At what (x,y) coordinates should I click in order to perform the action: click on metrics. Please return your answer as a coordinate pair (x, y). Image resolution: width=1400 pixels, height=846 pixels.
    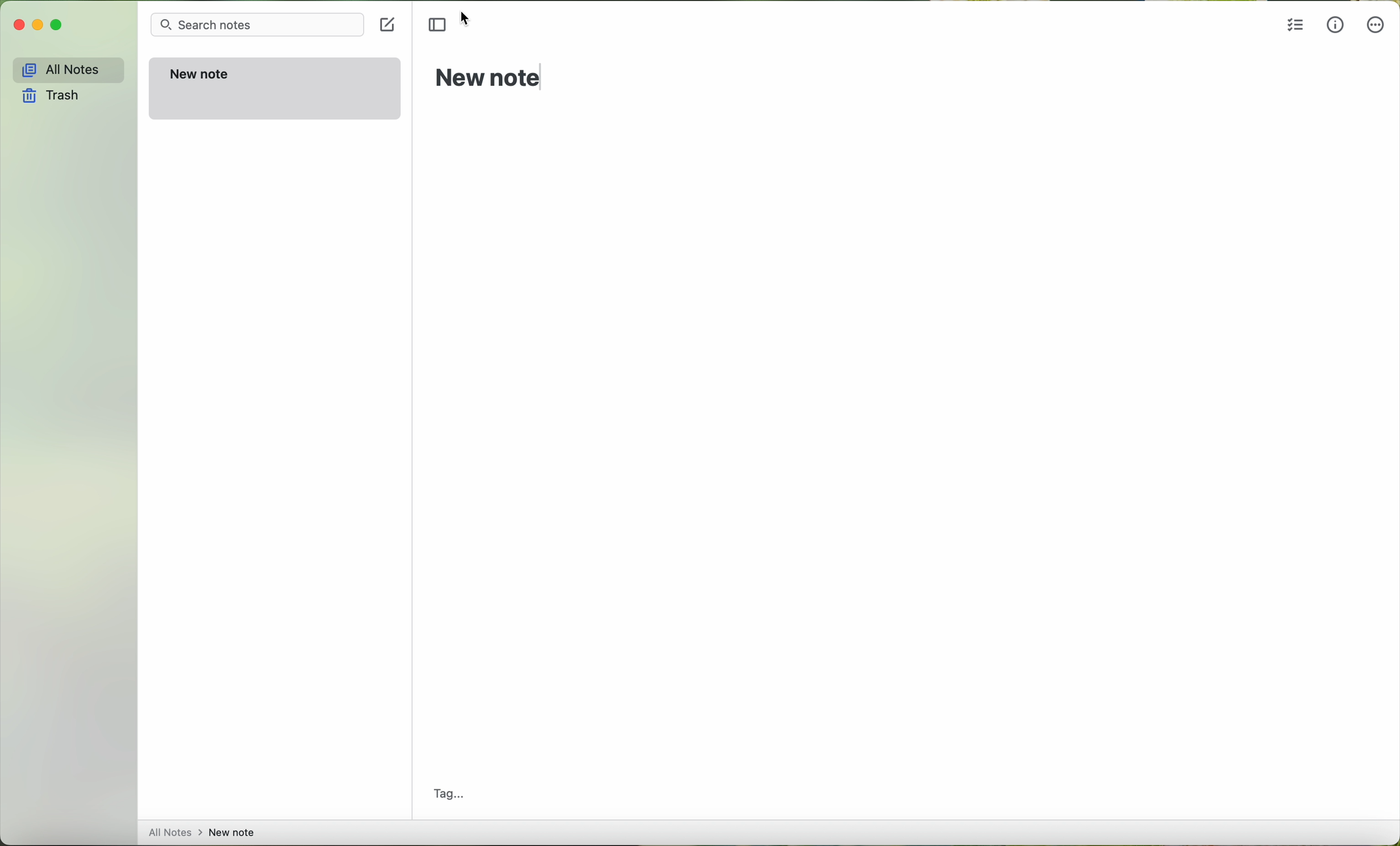
    Looking at the image, I should click on (1336, 28).